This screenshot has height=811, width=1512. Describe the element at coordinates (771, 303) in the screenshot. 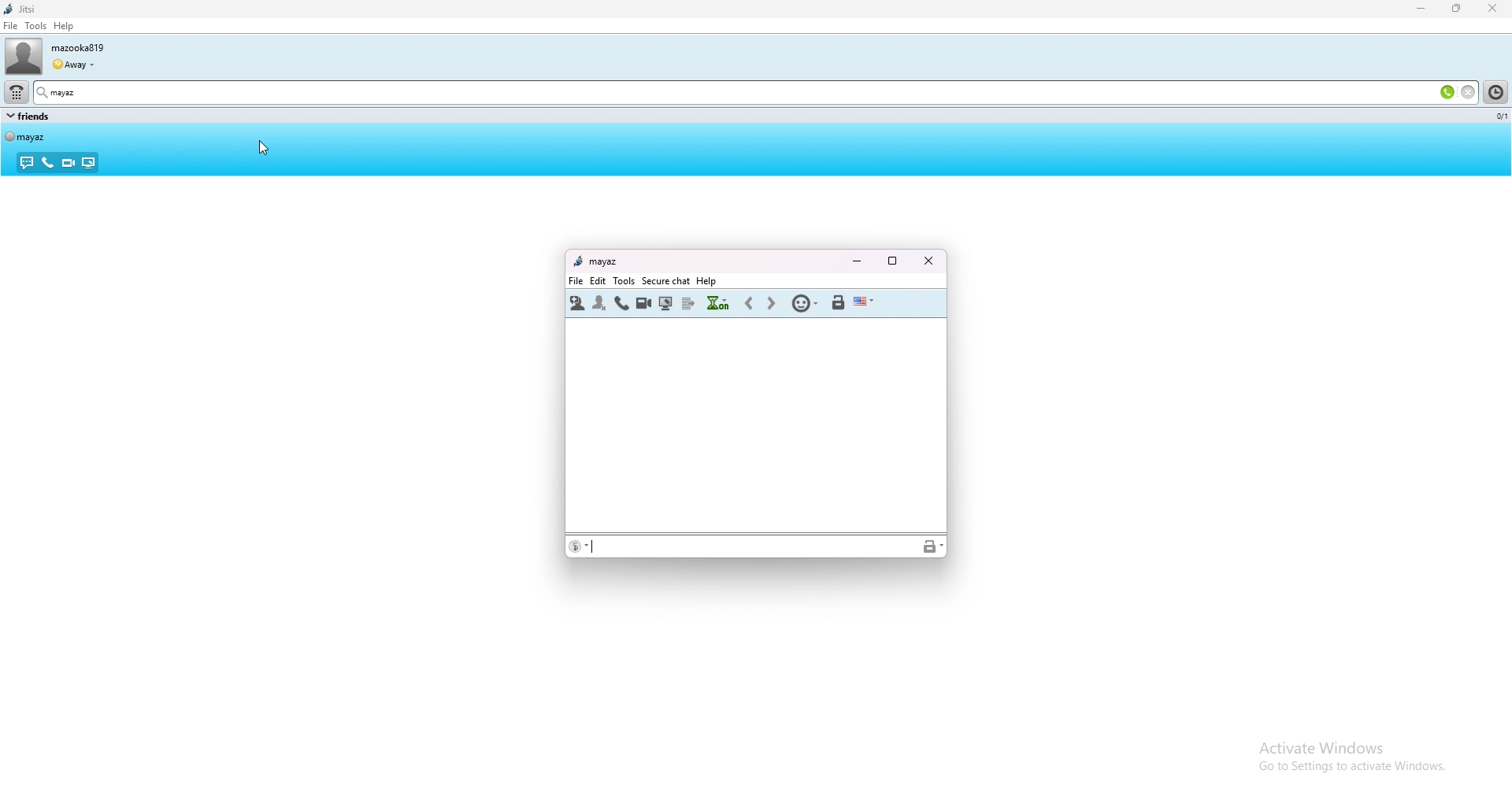

I see `next` at that location.